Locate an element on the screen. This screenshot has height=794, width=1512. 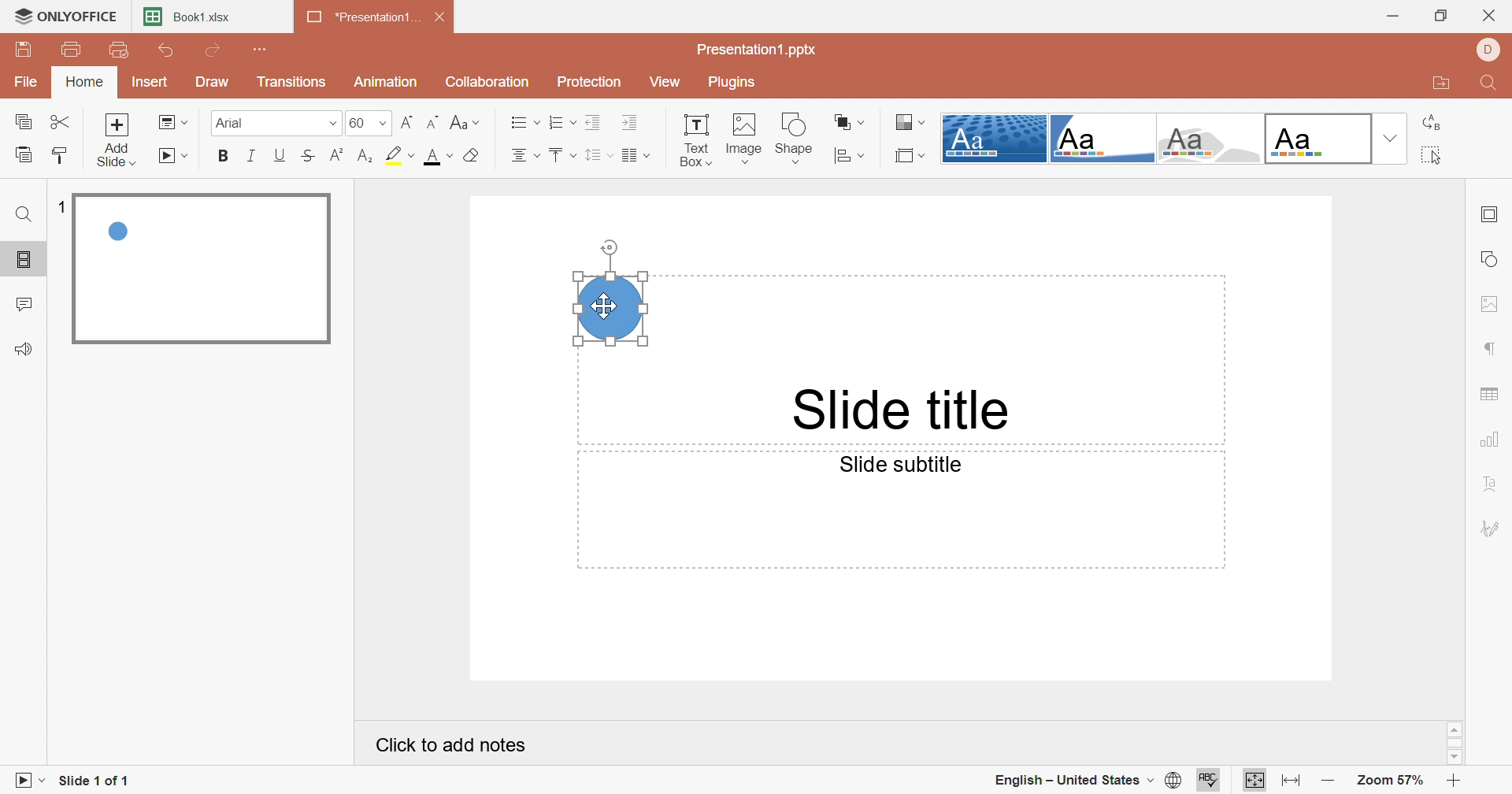
Slide settings is located at coordinates (1488, 216).